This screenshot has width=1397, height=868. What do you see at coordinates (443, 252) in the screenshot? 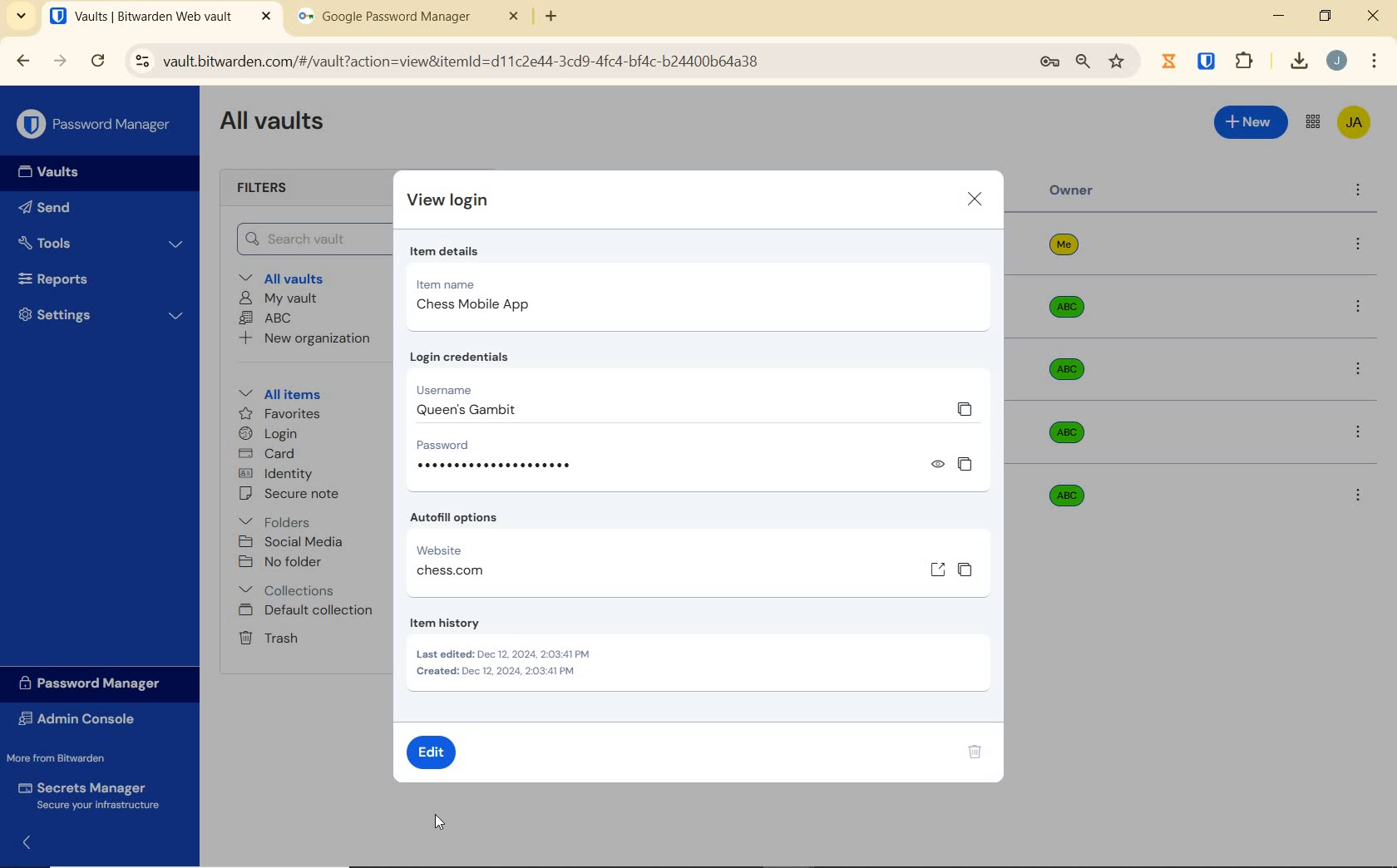
I see `item details` at bounding box center [443, 252].